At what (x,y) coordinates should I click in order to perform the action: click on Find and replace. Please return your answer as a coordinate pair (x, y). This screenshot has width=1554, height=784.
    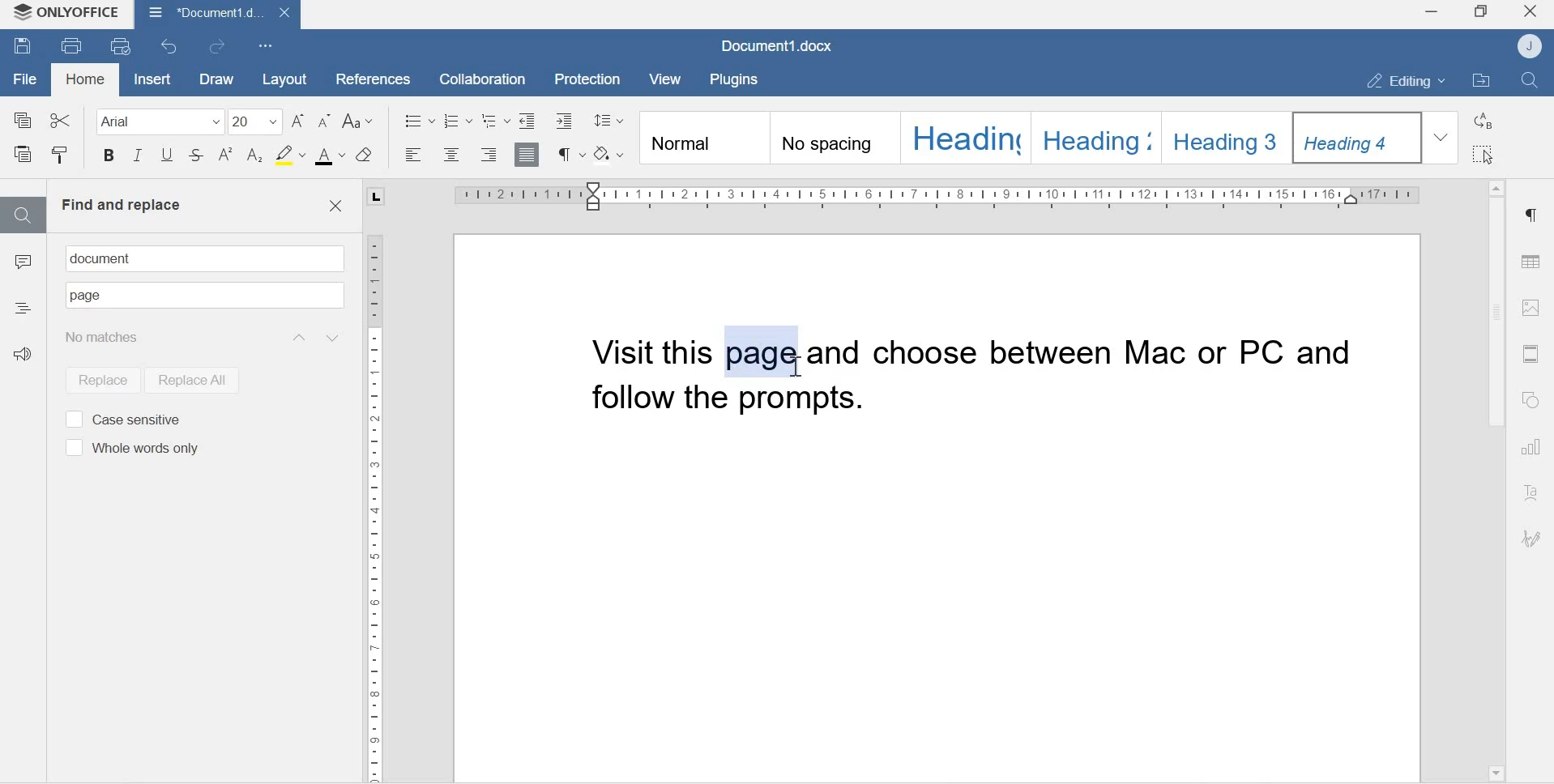
    Looking at the image, I should click on (121, 205).